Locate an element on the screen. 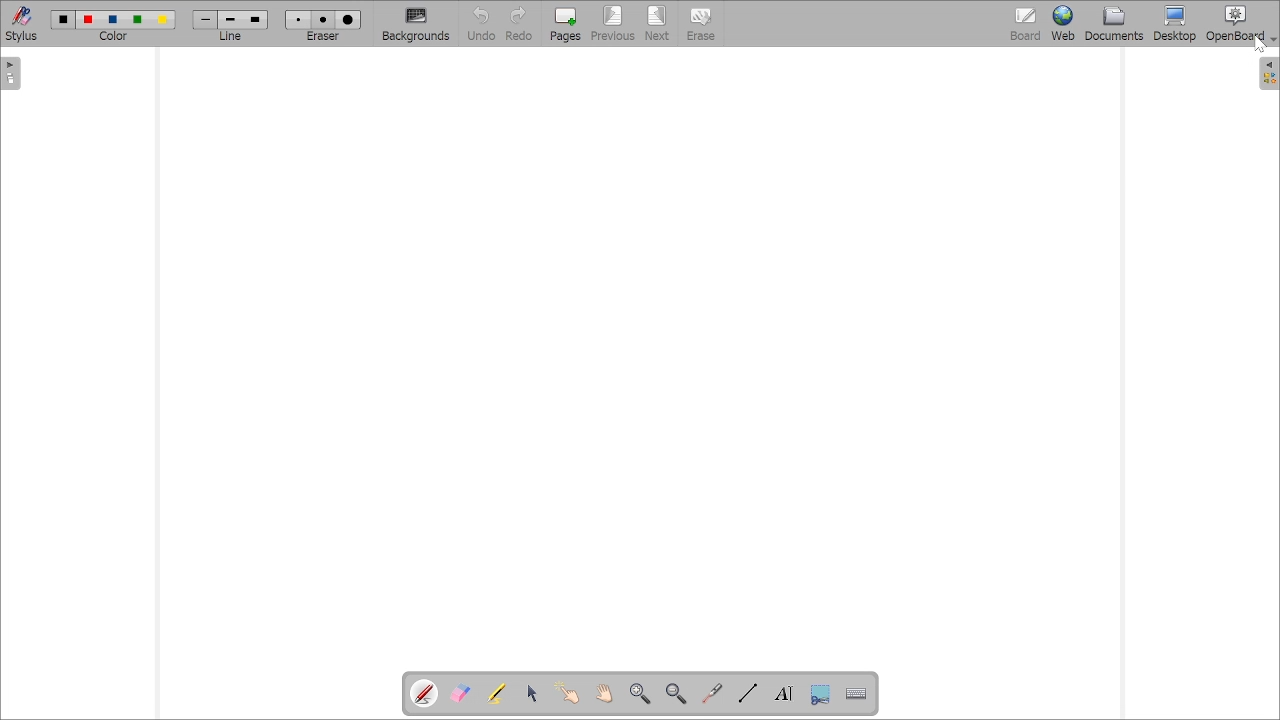  Display virtual keyboard is located at coordinates (854, 693).